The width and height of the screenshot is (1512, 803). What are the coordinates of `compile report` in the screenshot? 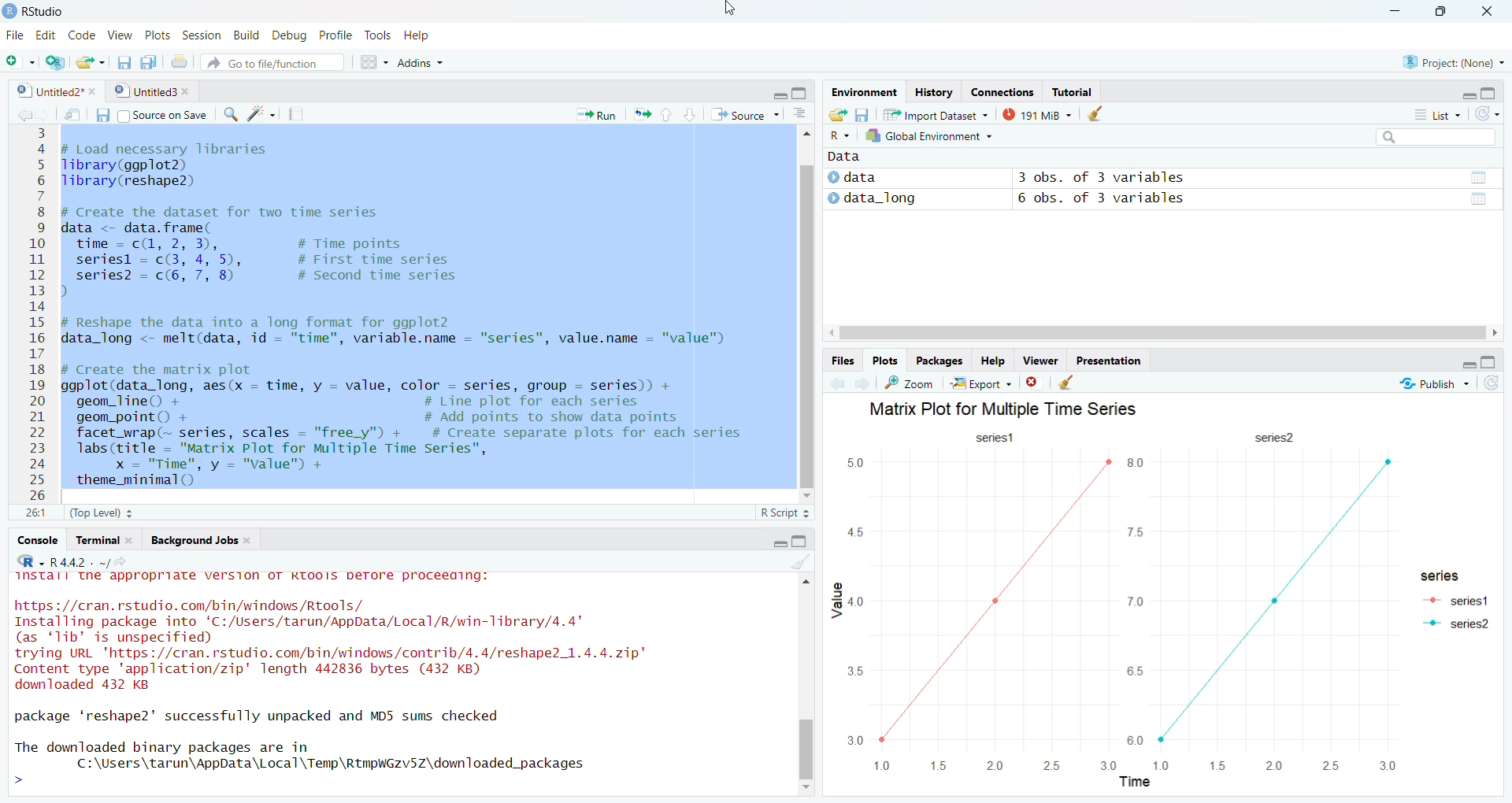 It's located at (295, 114).